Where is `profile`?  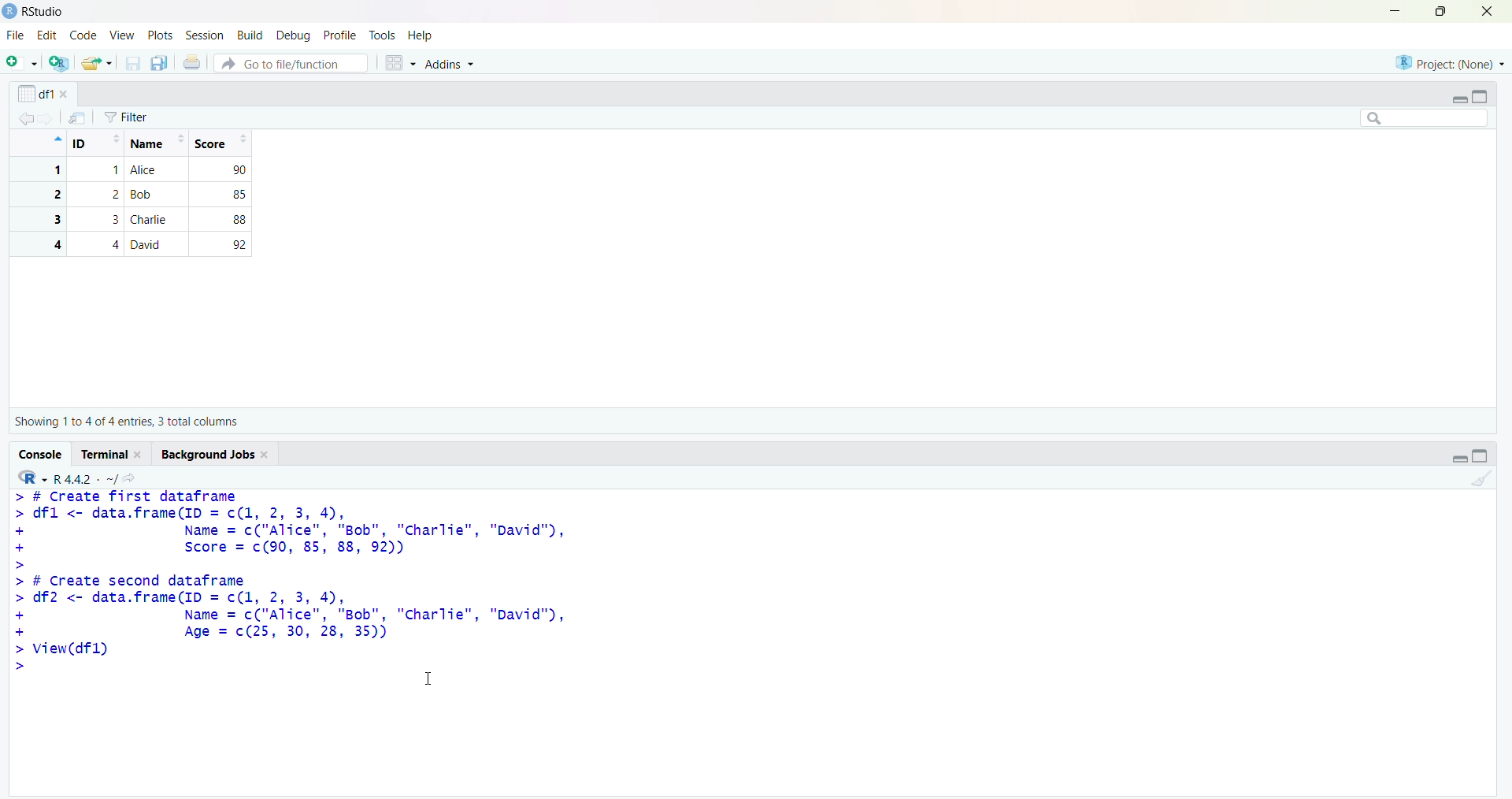
profile is located at coordinates (339, 35).